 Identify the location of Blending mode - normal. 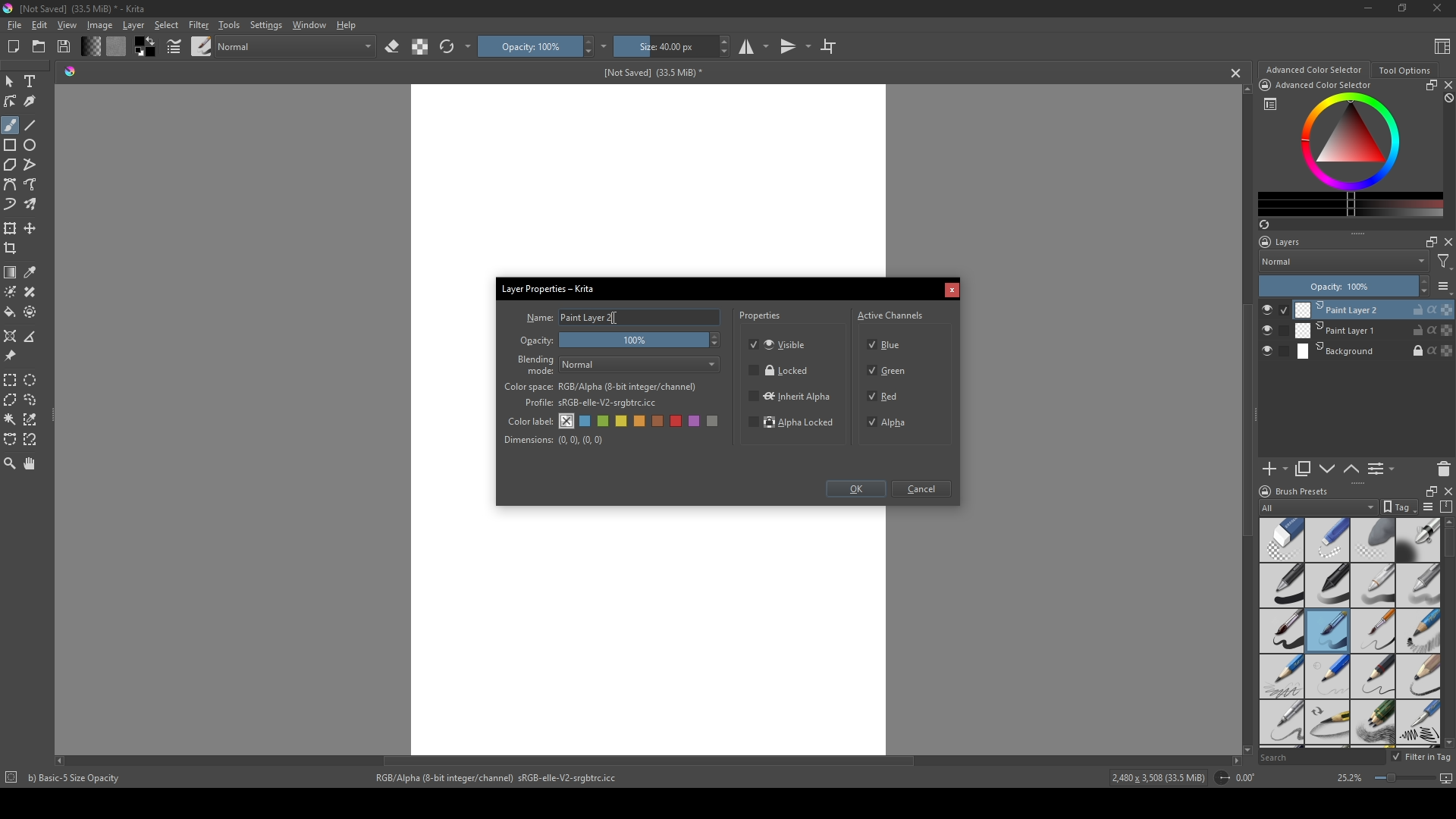
(536, 364).